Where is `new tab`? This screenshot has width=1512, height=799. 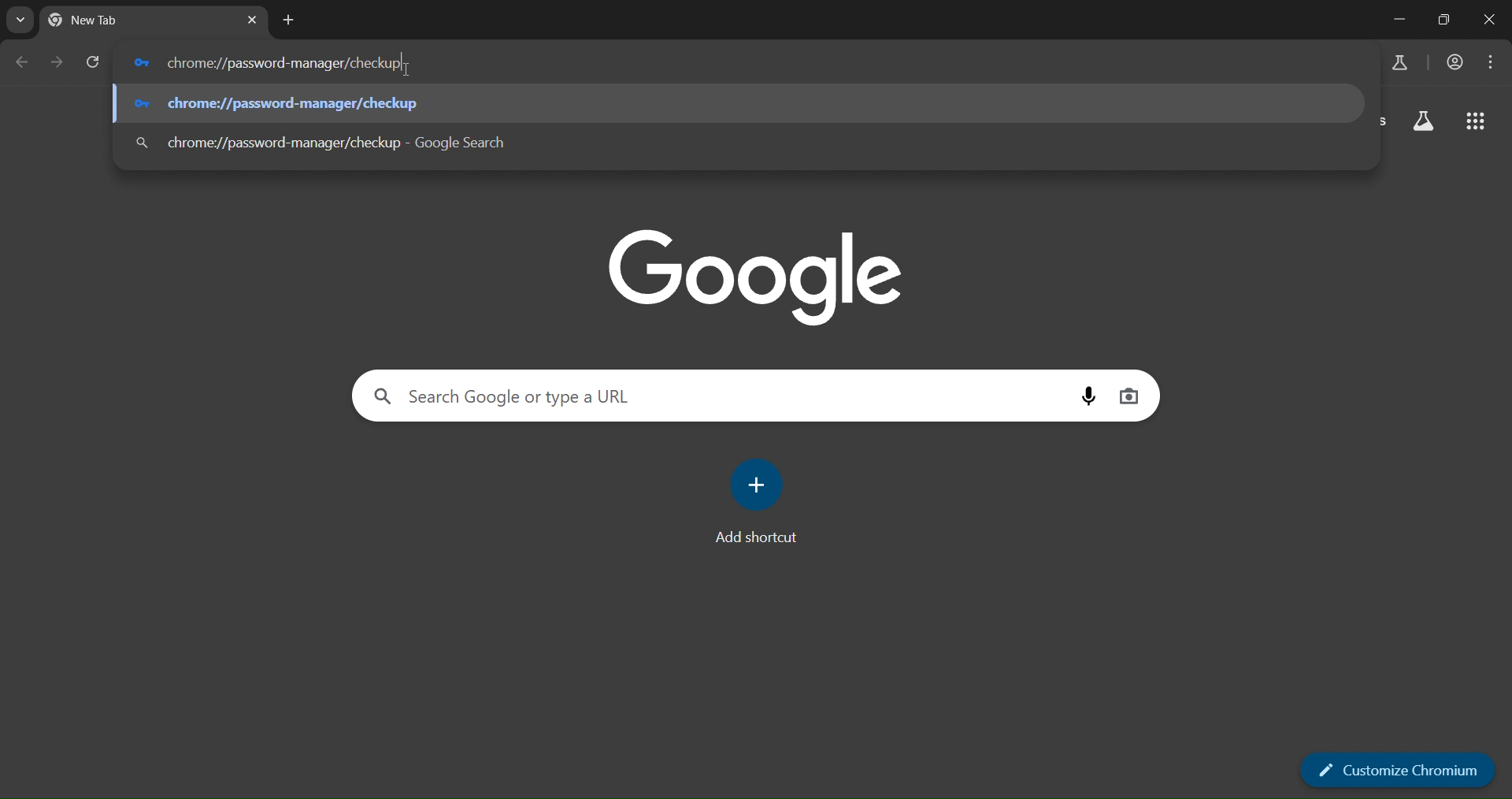
new tab is located at coordinates (291, 20).